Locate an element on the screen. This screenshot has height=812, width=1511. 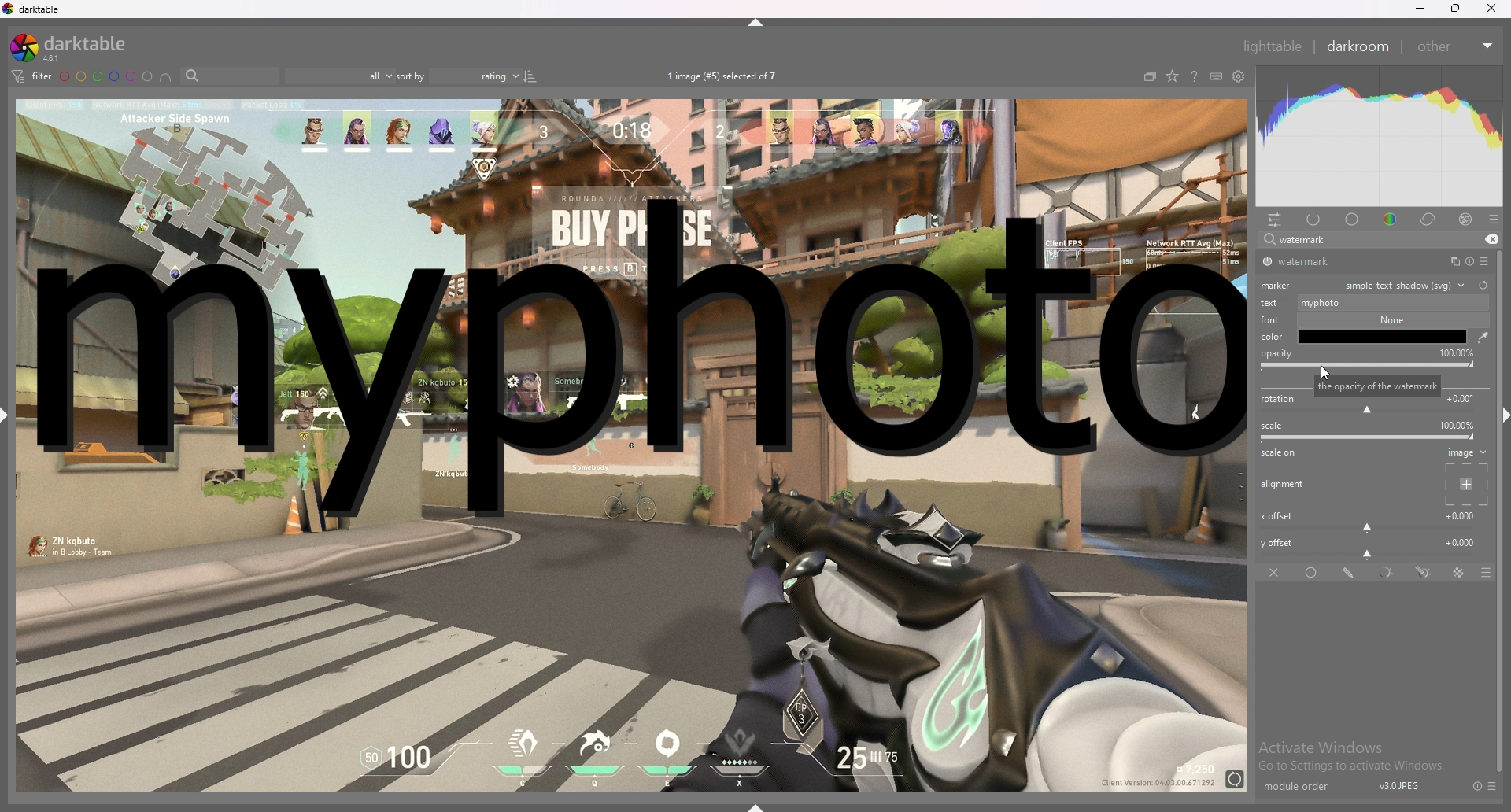
remove is located at coordinates (1489, 240).